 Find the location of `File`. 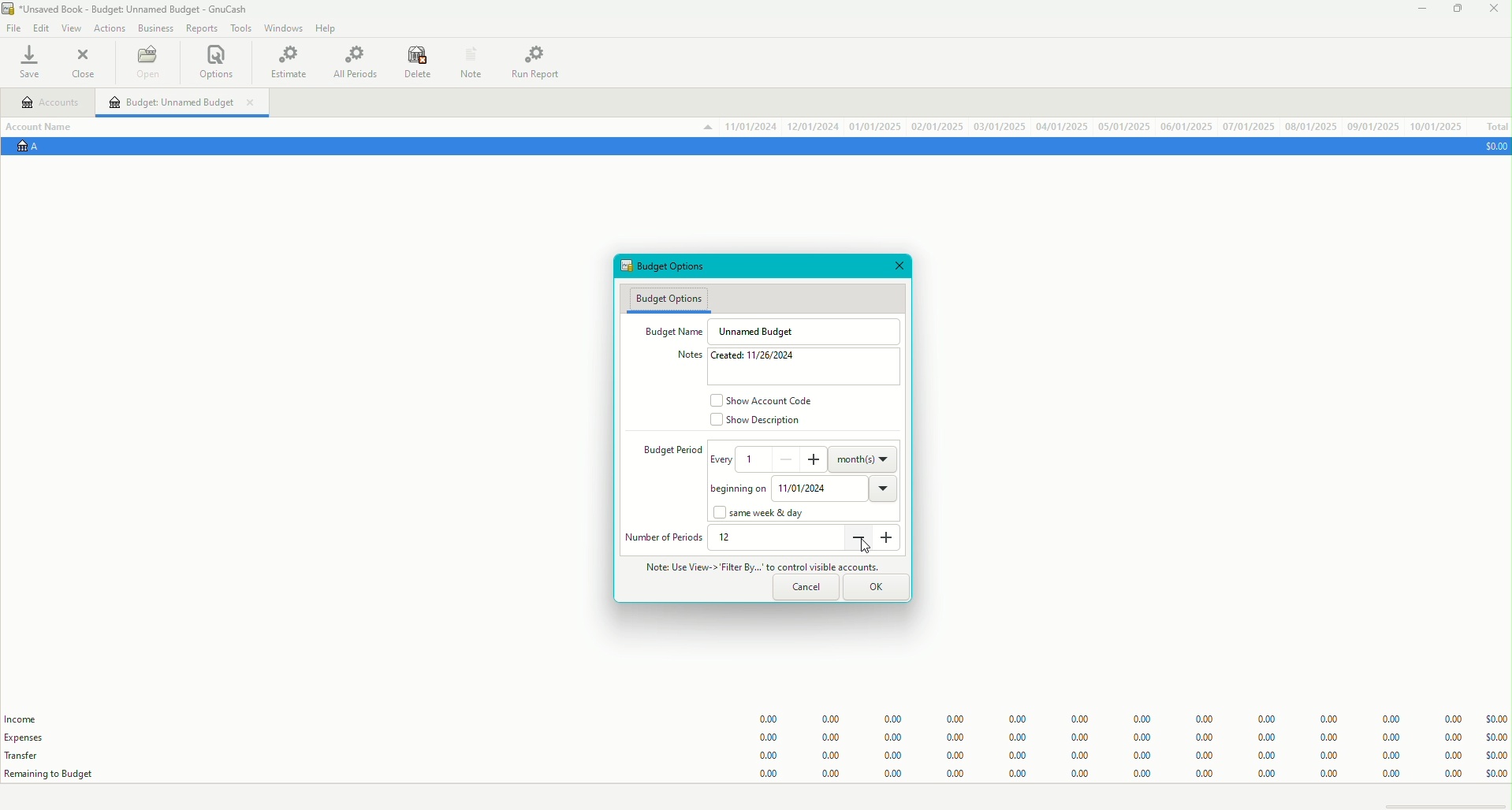

File is located at coordinates (15, 28).